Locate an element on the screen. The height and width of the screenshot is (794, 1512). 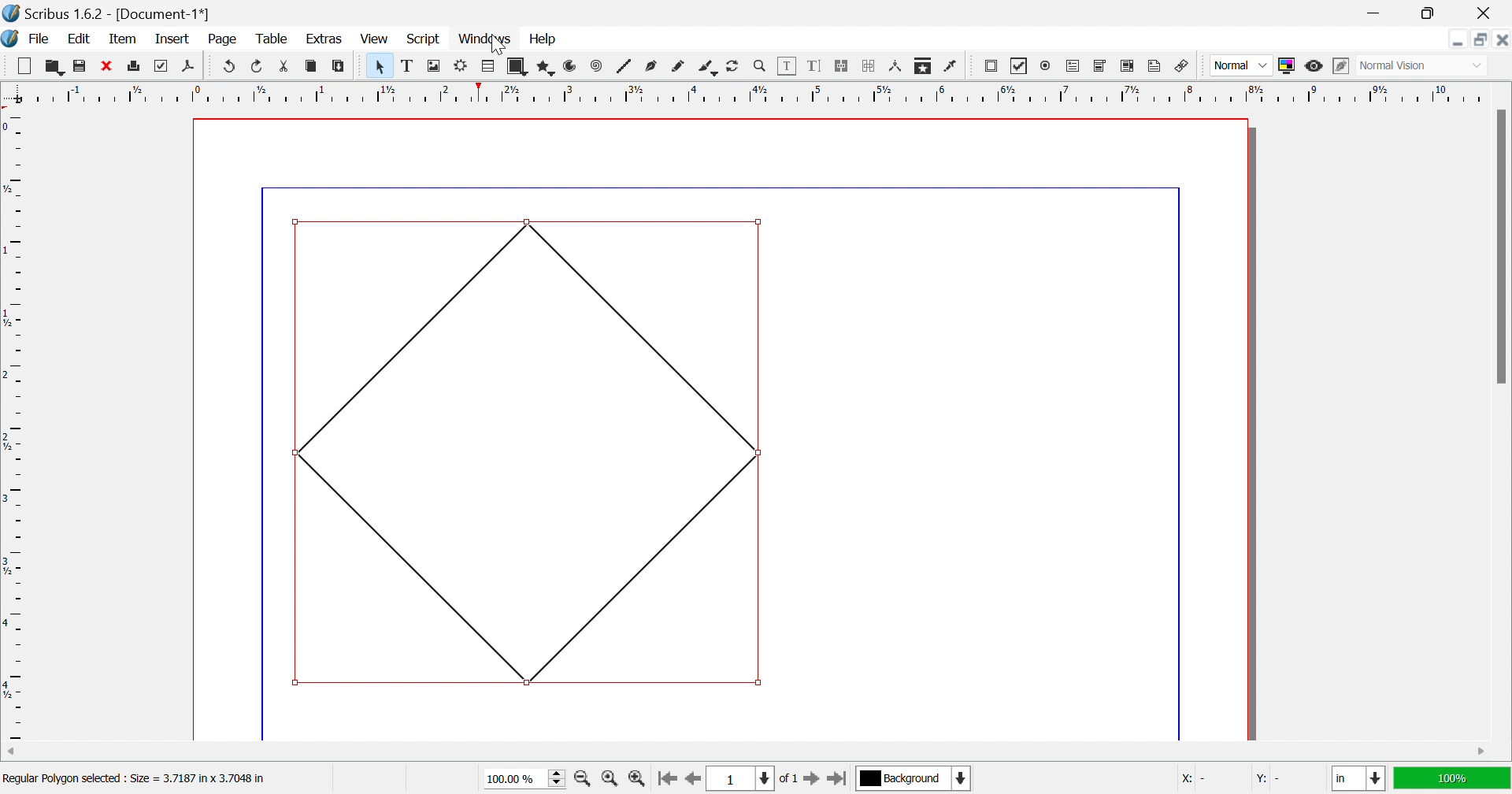
100% is located at coordinates (1450, 777).